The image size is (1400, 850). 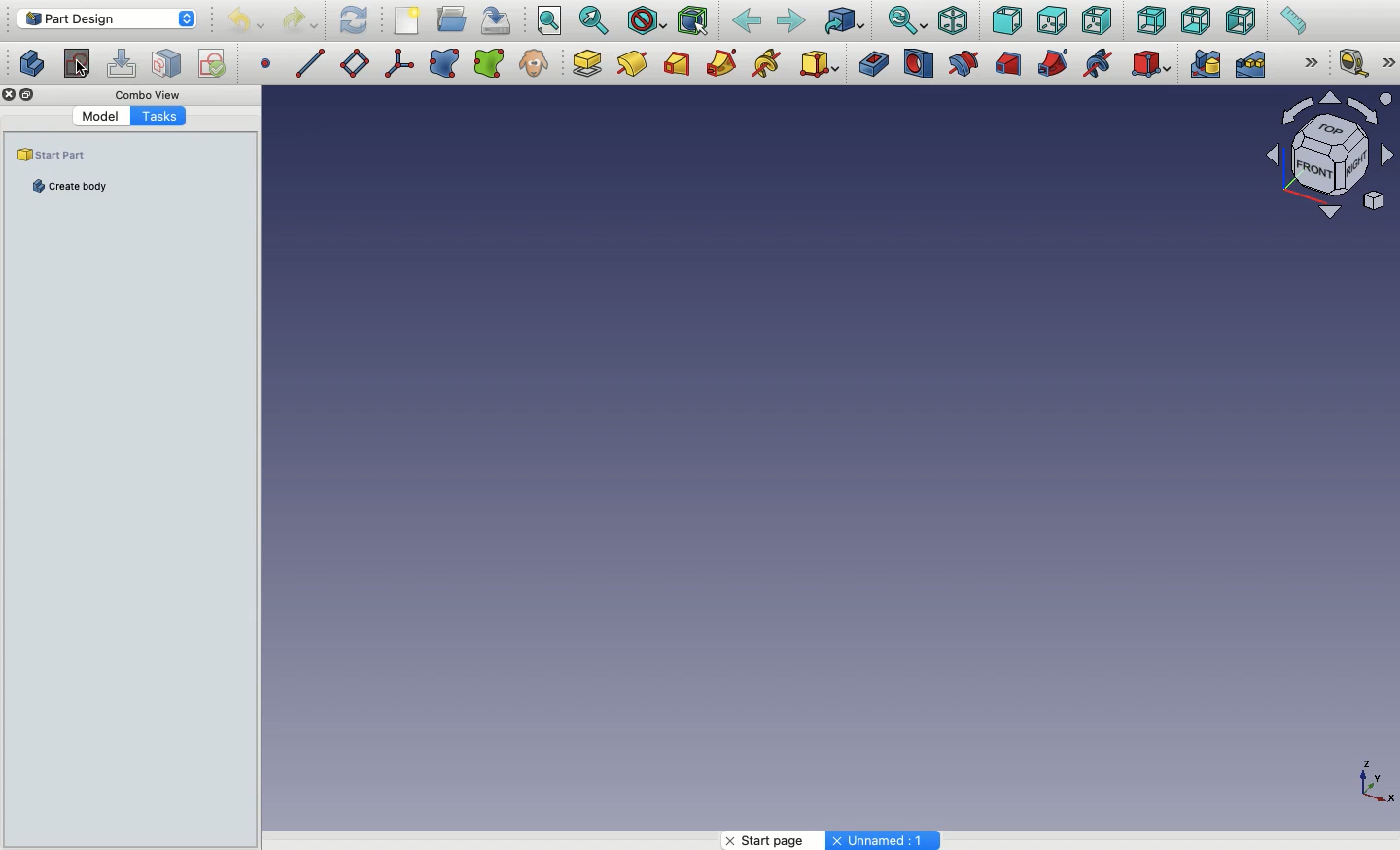 What do you see at coordinates (1388, 63) in the screenshot?
I see `Expand` at bounding box center [1388, 63].